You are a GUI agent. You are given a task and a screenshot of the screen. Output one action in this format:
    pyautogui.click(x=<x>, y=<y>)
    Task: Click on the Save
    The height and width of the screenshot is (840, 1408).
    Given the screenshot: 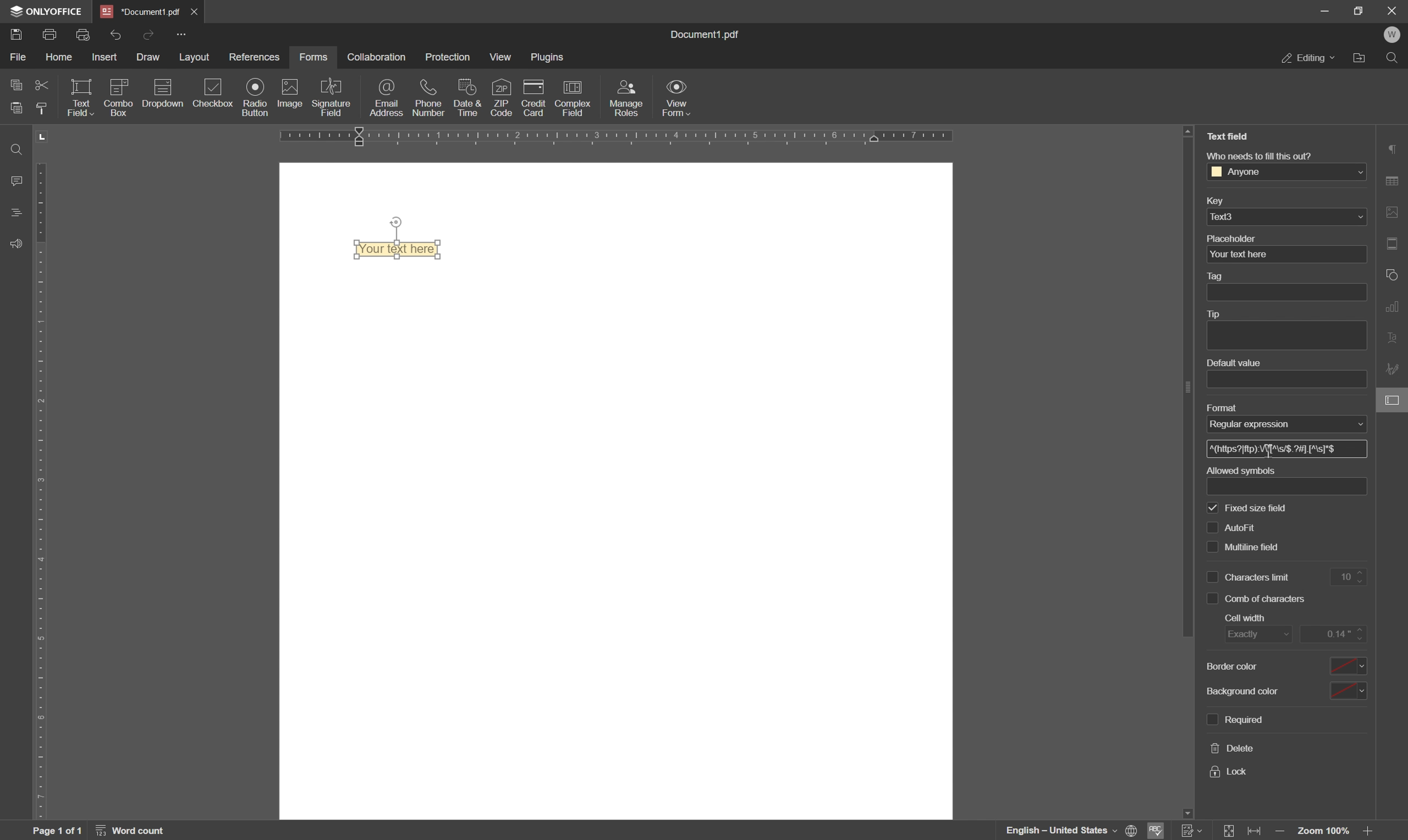 What is the action you would take?
    pyautogui.click(x=17, y=36)
    